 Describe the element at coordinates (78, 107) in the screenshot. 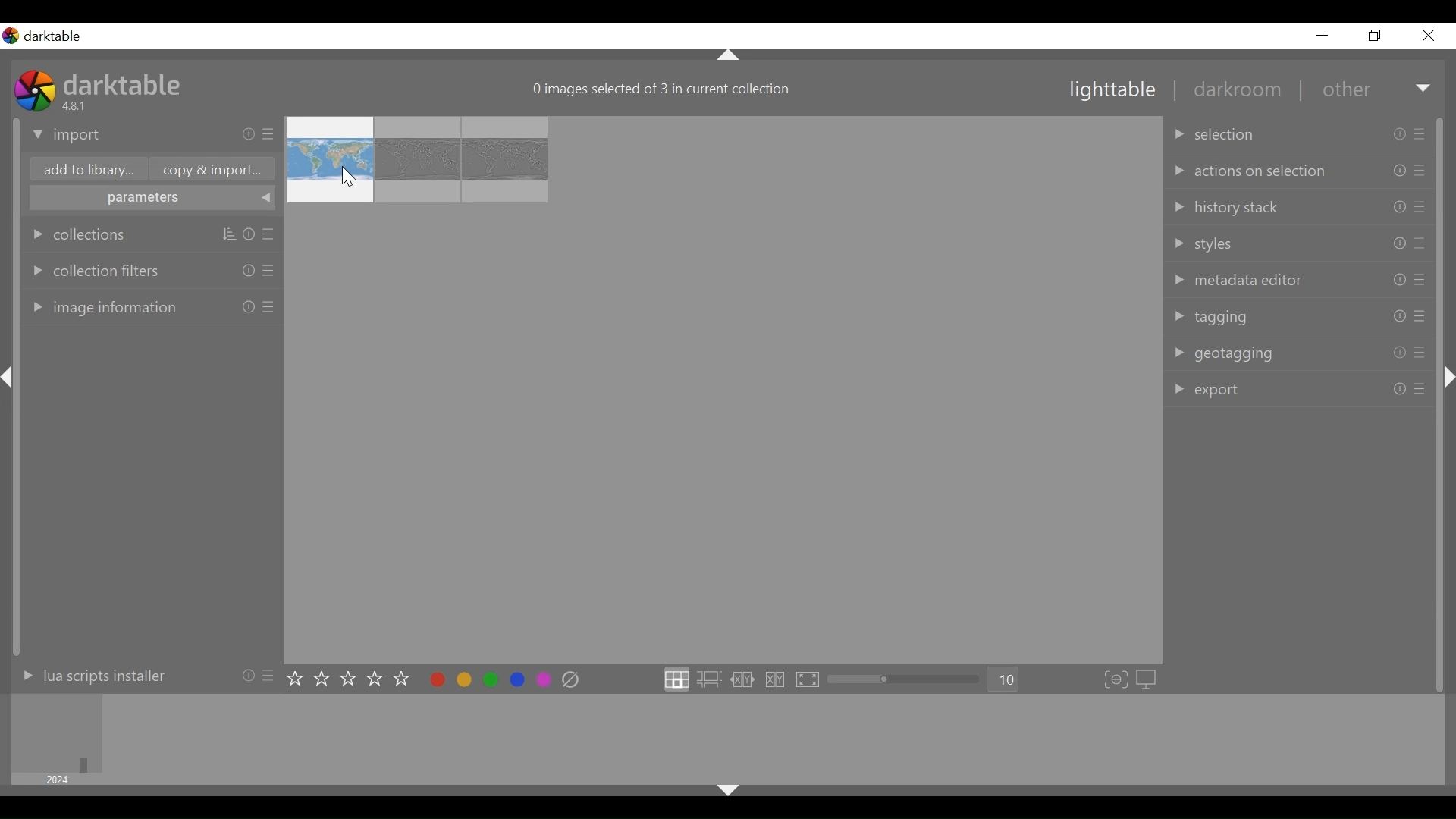

I see `Version` at that location.